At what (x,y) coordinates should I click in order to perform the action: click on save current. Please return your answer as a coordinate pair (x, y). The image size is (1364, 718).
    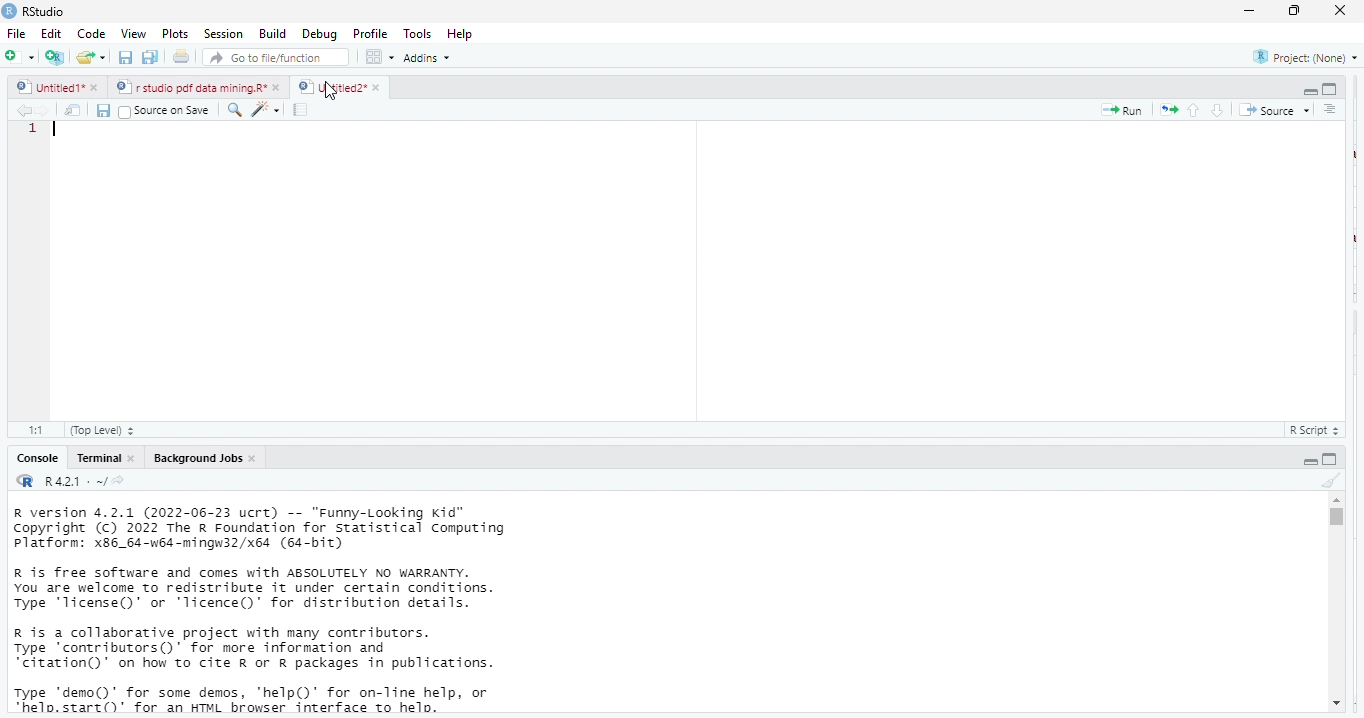
    Looking at the image, I should click on (104, 109).